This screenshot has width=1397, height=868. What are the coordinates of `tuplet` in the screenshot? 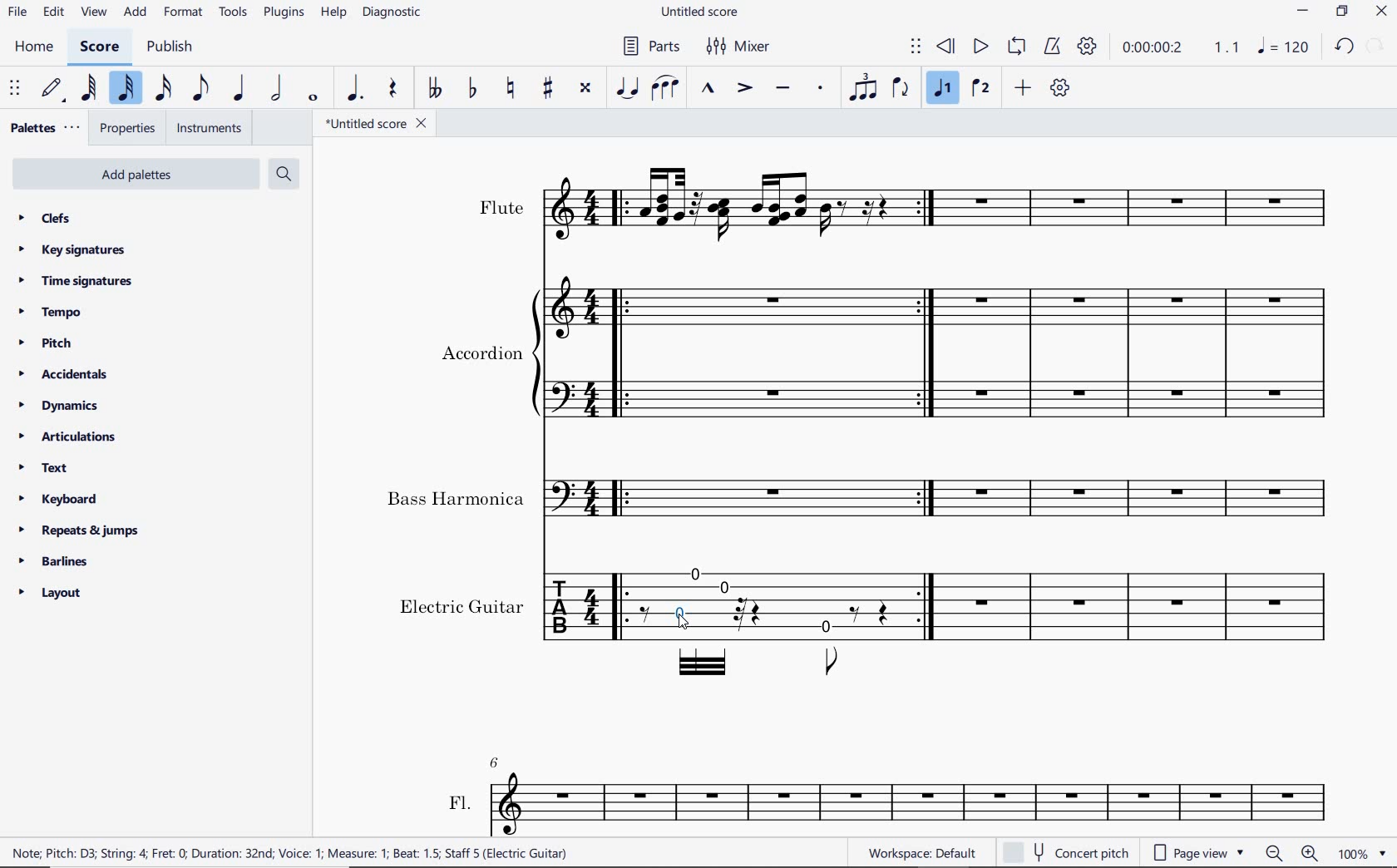 It's located at (859, 89).